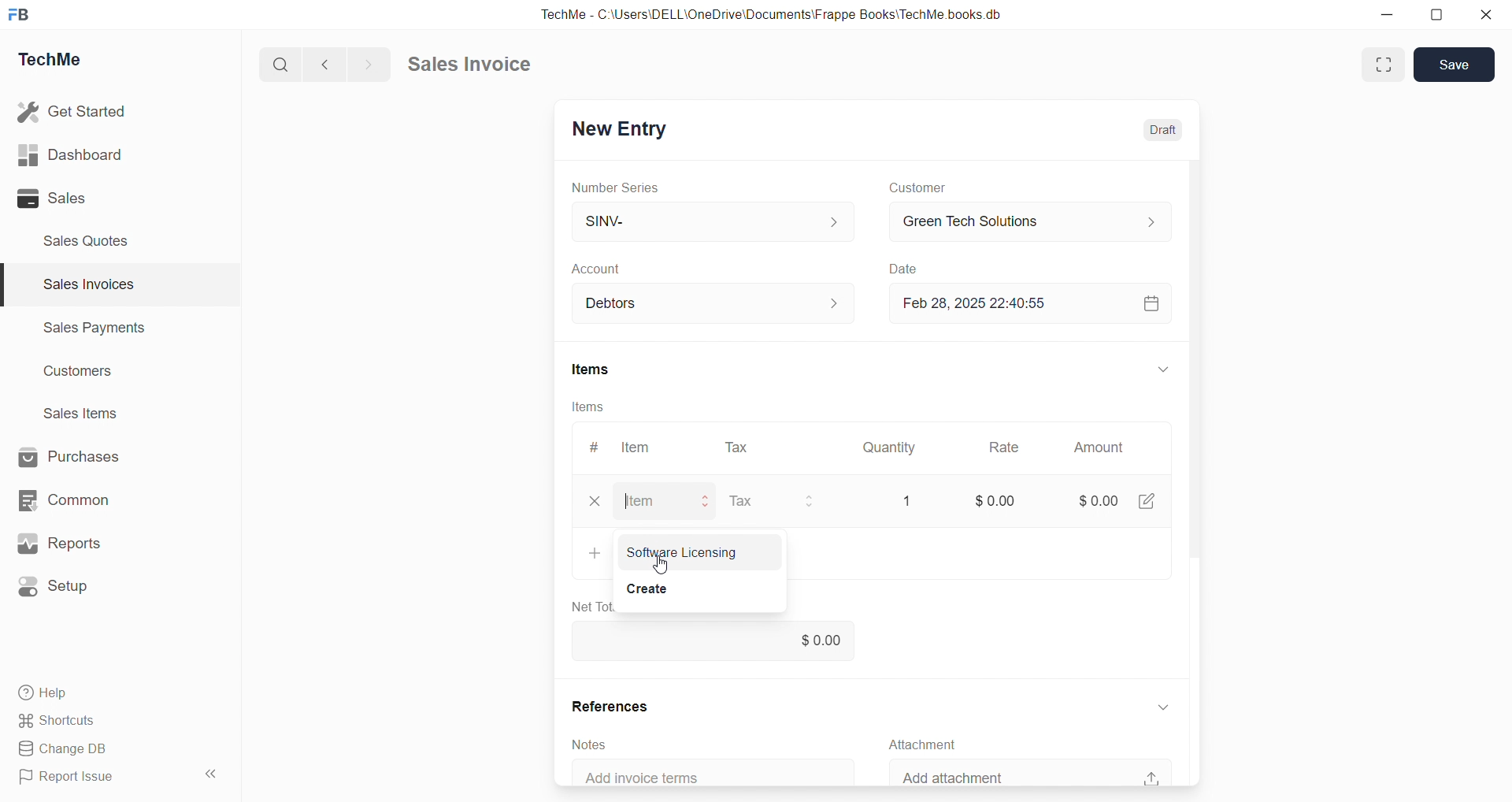  What do you see at coordinates (19, 16) in the screenshot?
I see `FB` at bounding box center [19, 16].